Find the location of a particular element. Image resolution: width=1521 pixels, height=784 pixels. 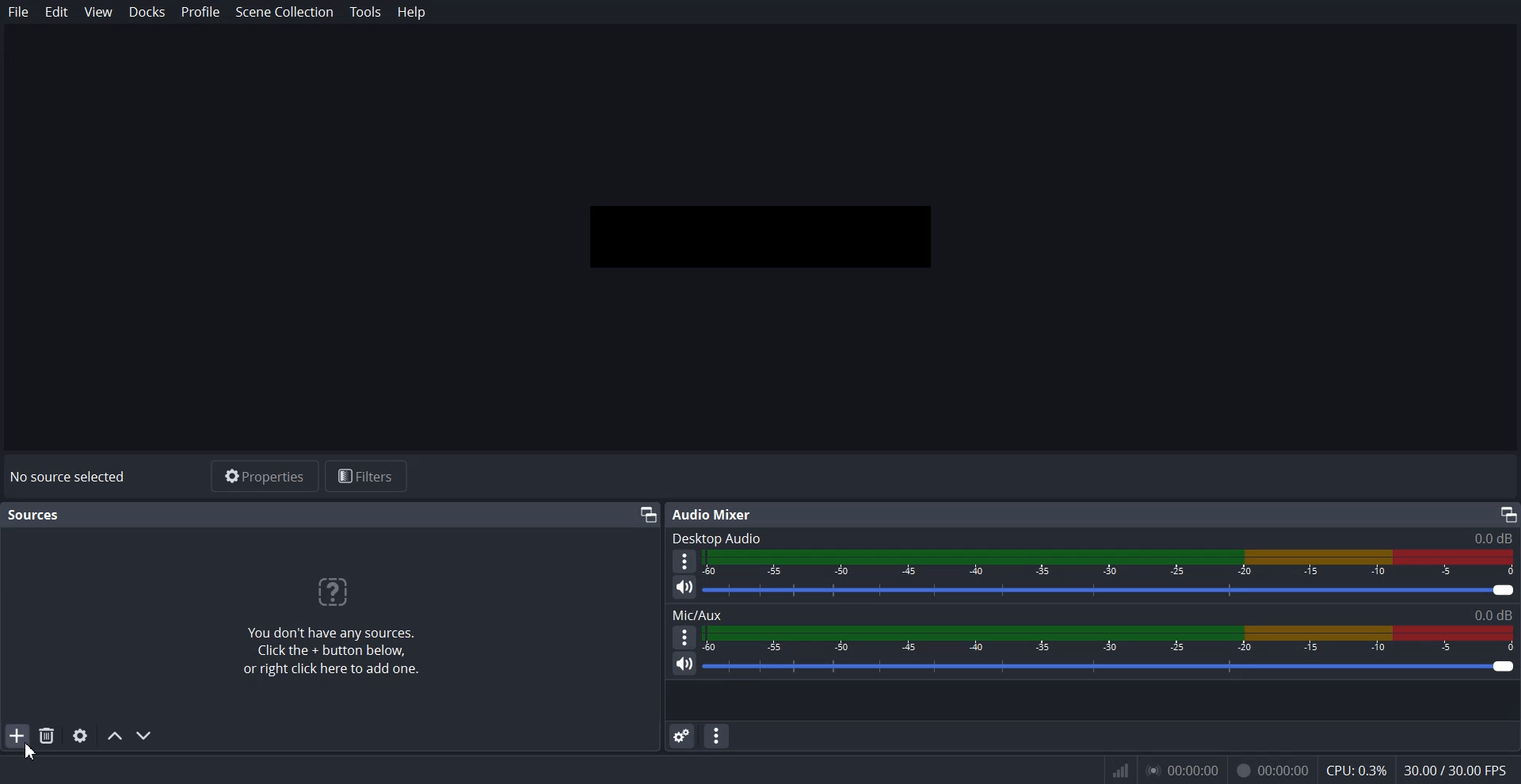

View is located at coordinates (97, 11).